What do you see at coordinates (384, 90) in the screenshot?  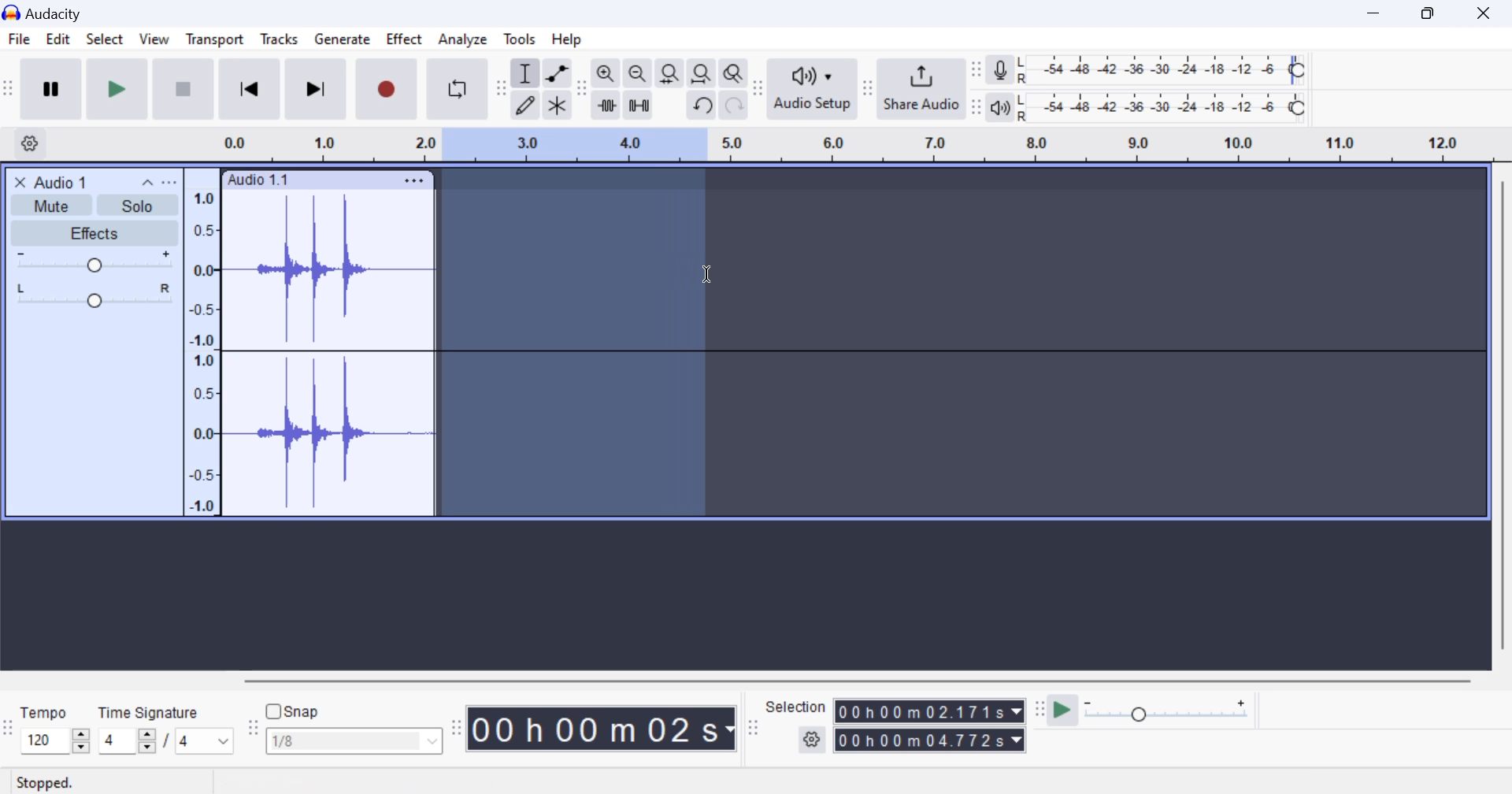 I see `Record` at bounding box center [384, 90].